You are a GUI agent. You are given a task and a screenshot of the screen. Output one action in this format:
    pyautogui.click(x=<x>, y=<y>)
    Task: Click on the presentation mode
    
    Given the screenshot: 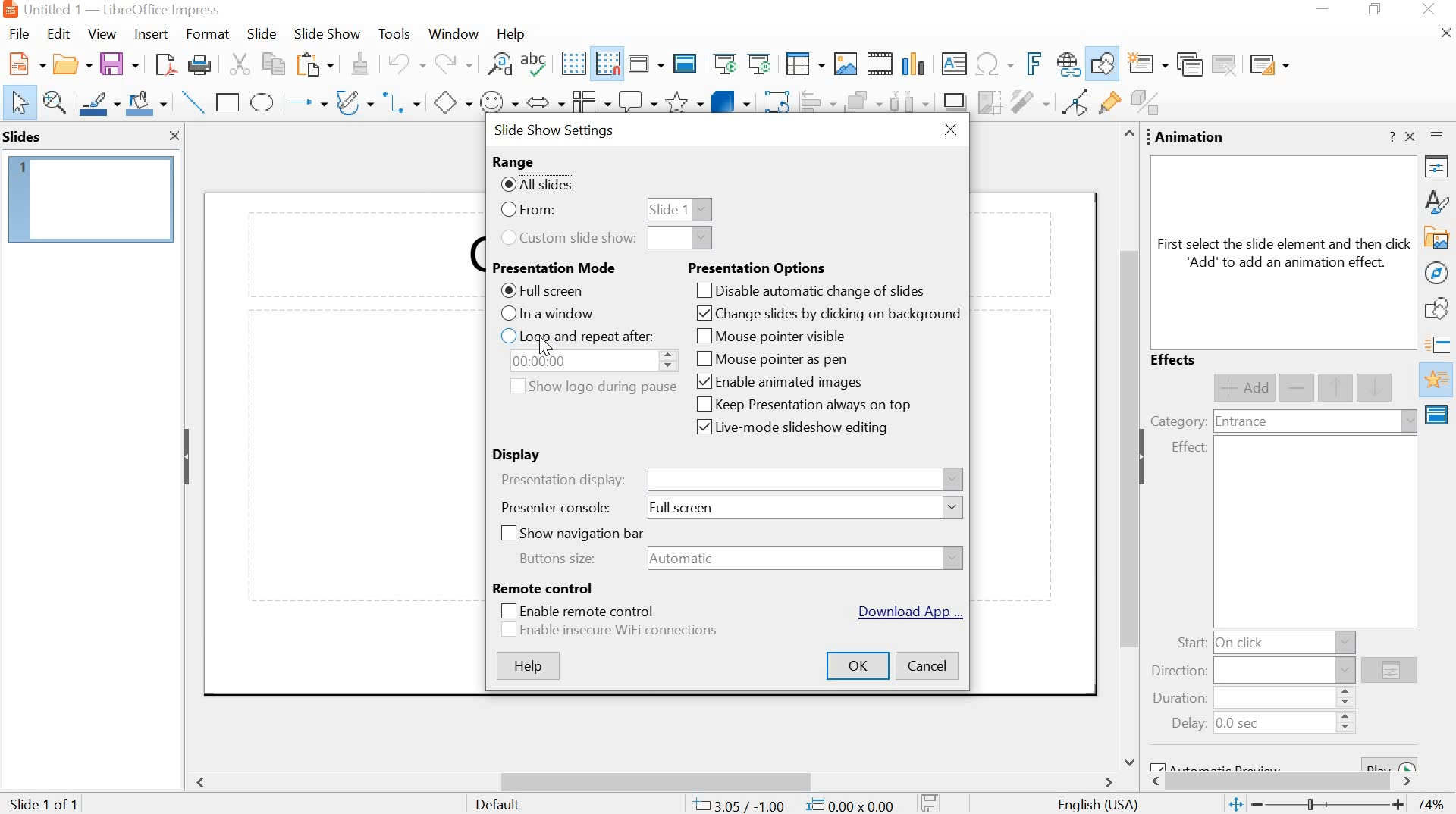 What is the action you would take?
    pyautogui.click(x=557, y=268)
    